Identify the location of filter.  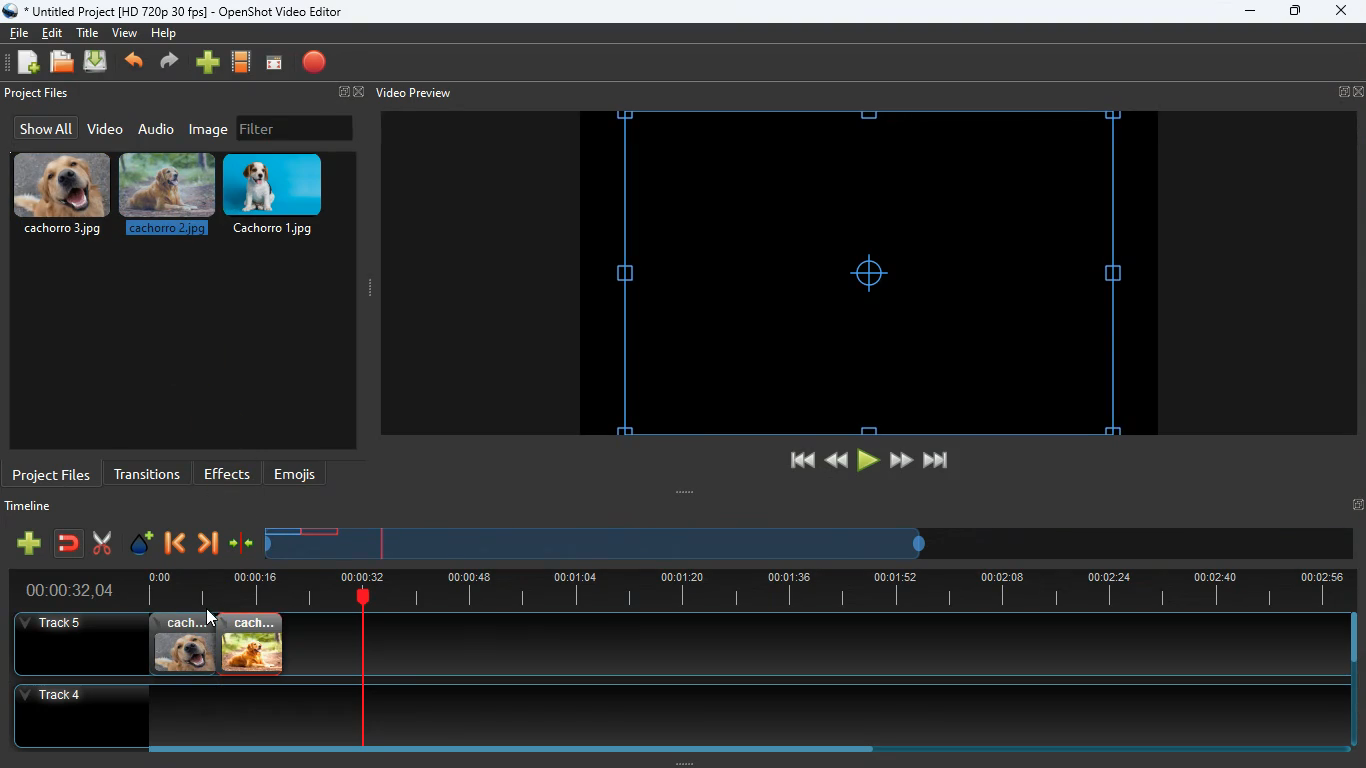
(295, 128).